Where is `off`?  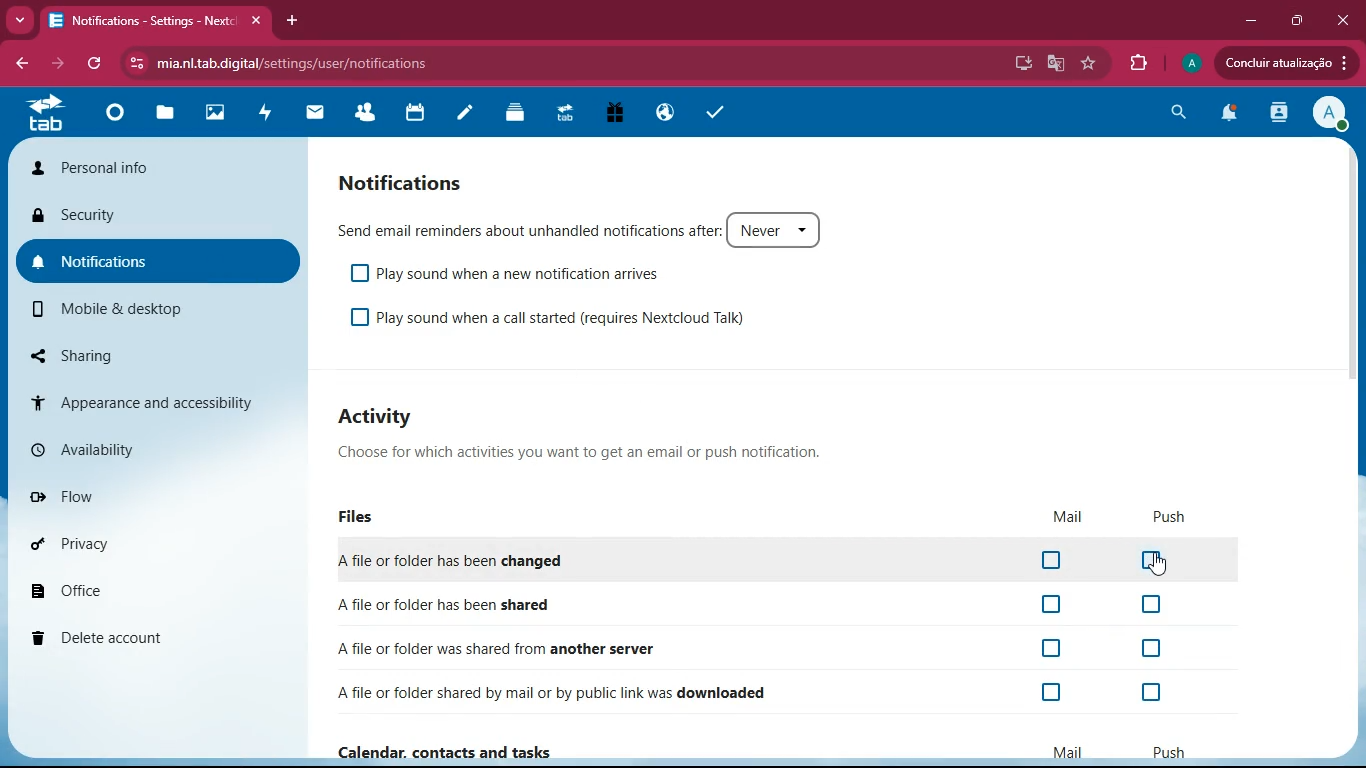
off is located at coordinates (1044, 606).